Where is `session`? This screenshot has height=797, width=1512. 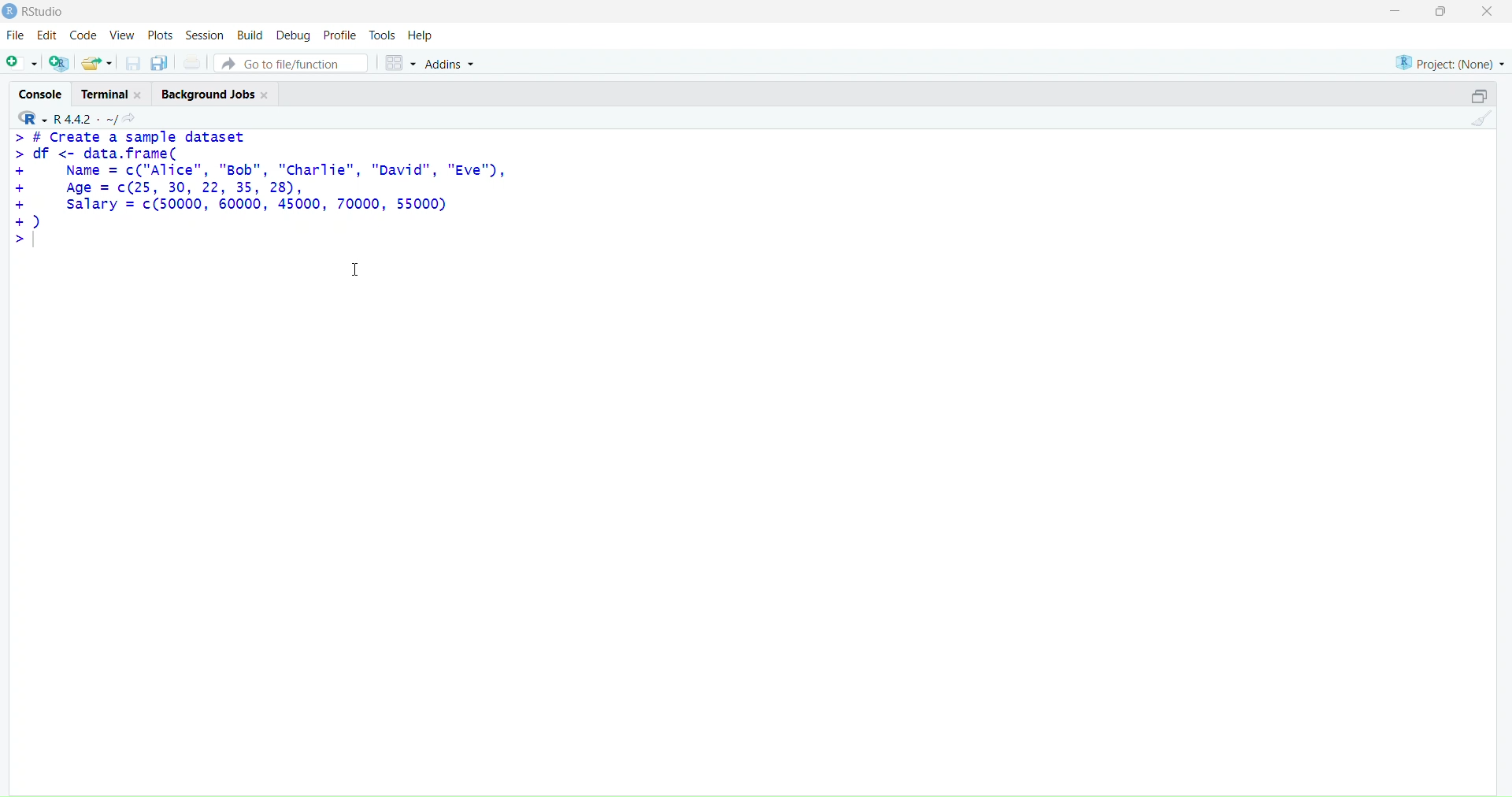
session is located at coordinates (206, 35).